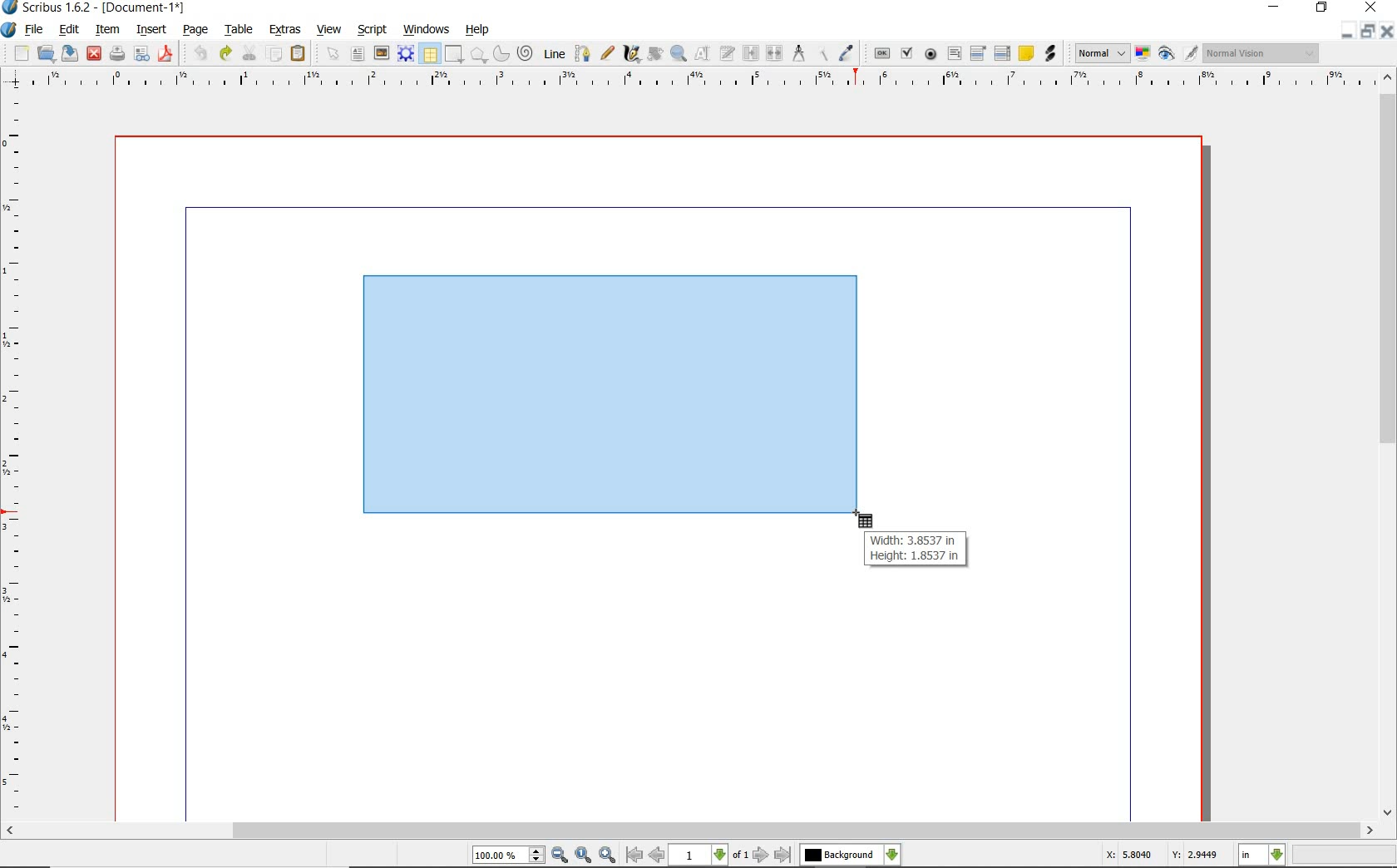 Image resolution: width=1397 pixels, height=868 pixels. What do you see at coordinates (776, 53) in the screenshot?
I see `unlink text frames` at bounding box center [776, 53].